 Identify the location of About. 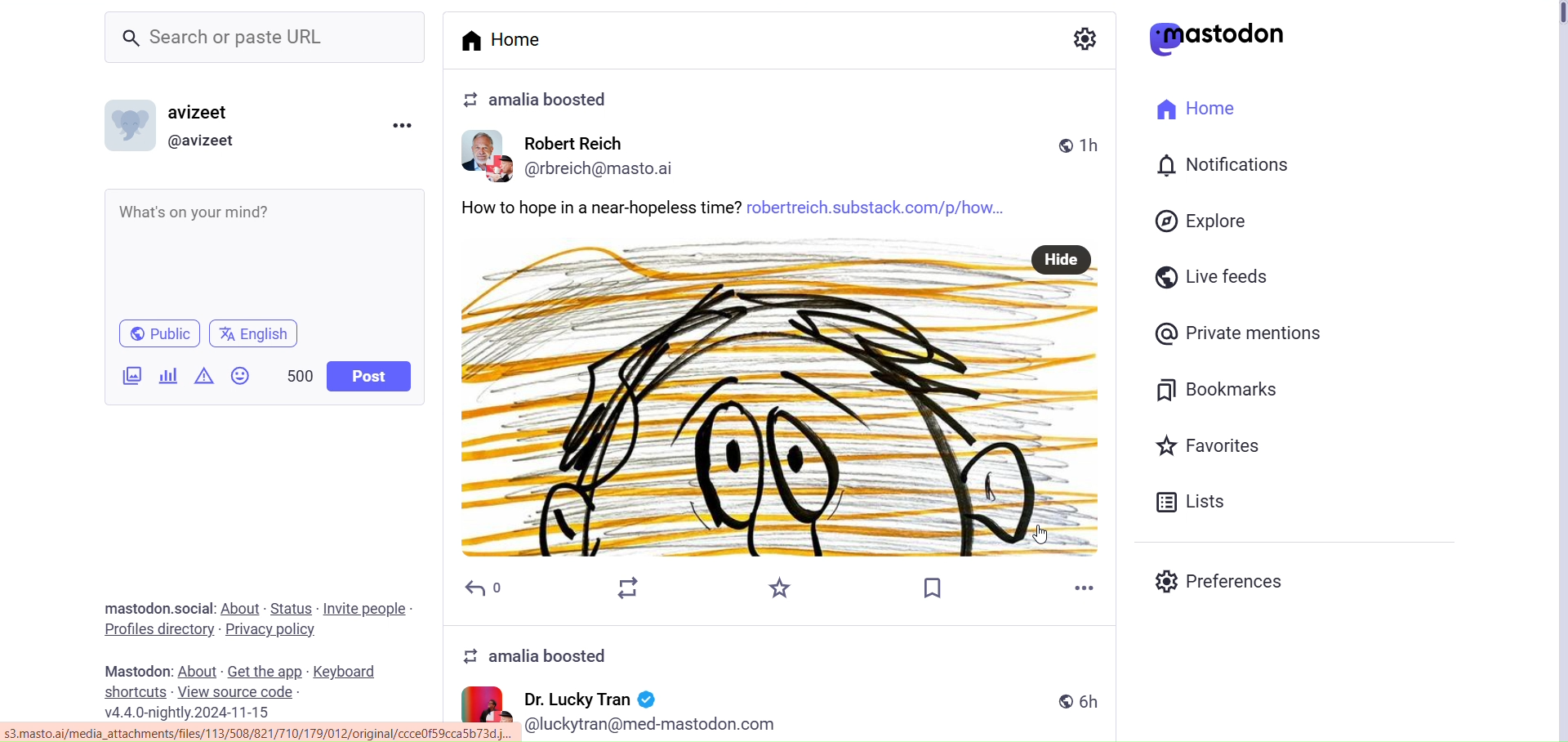
(241, 608).